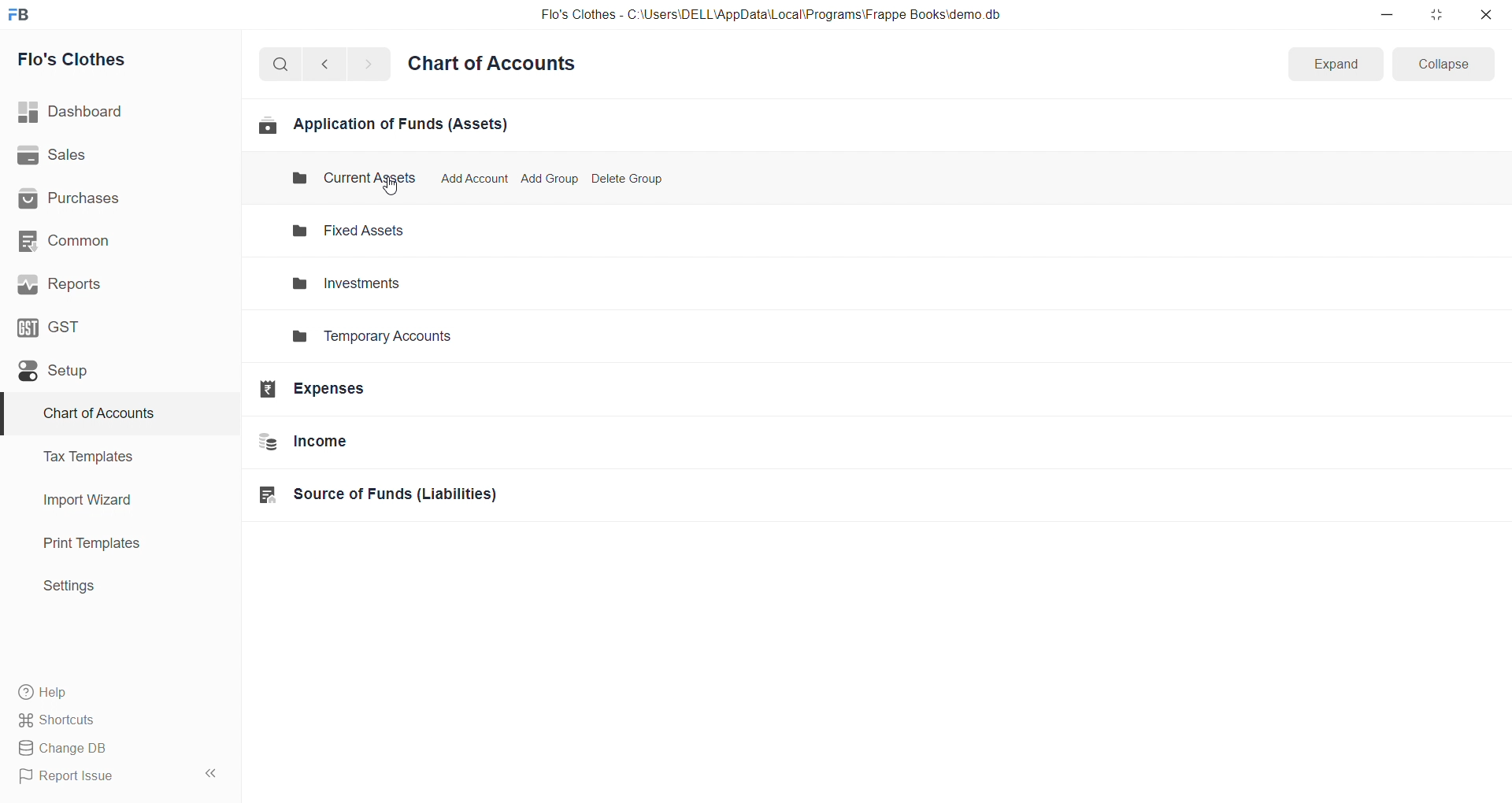  I want to click on navigate backward, so click(332, 62).